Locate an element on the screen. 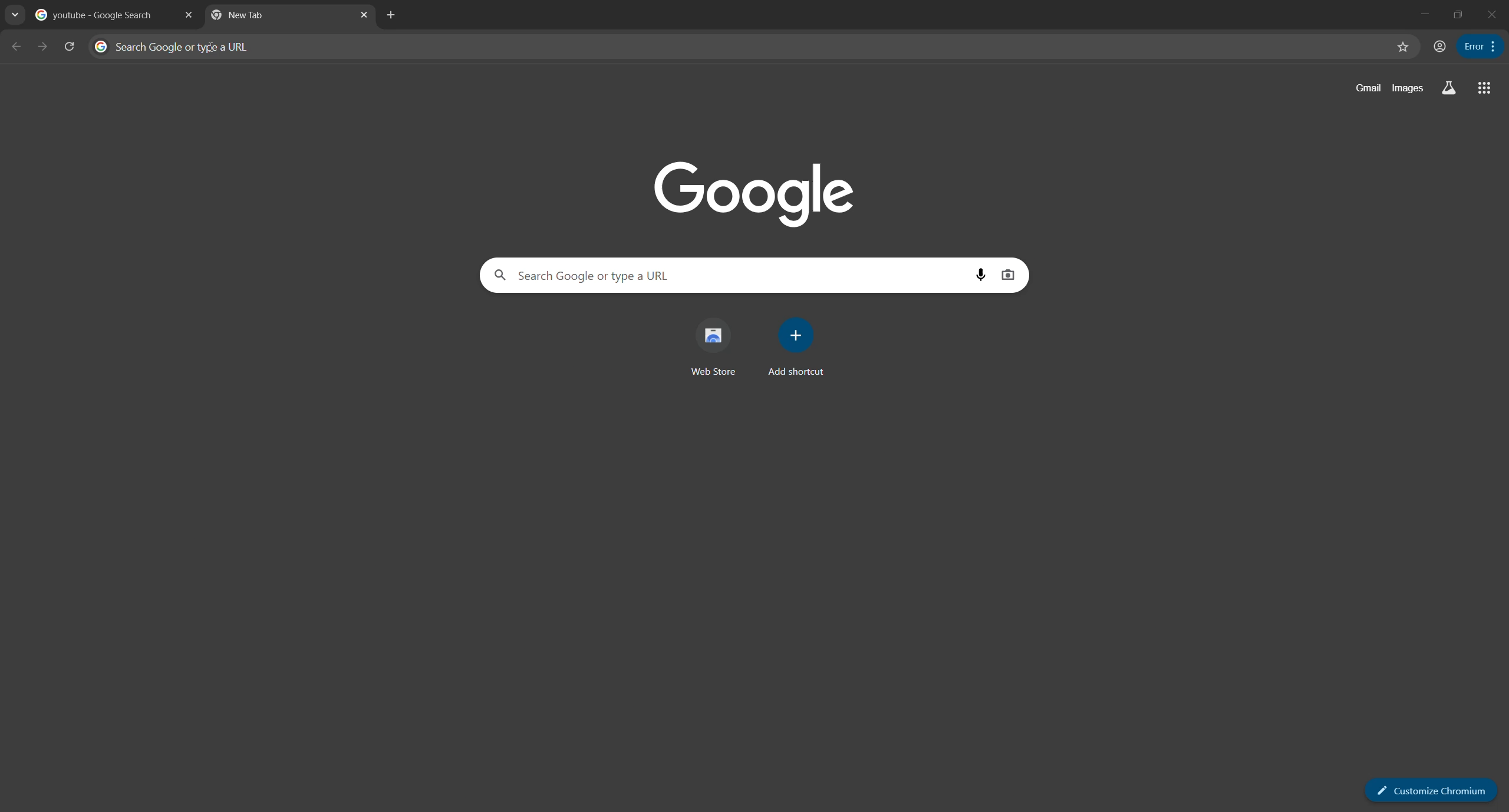 This screenshot has width=1509, height=812. web store shortcut is located at coordinates (710, 349).